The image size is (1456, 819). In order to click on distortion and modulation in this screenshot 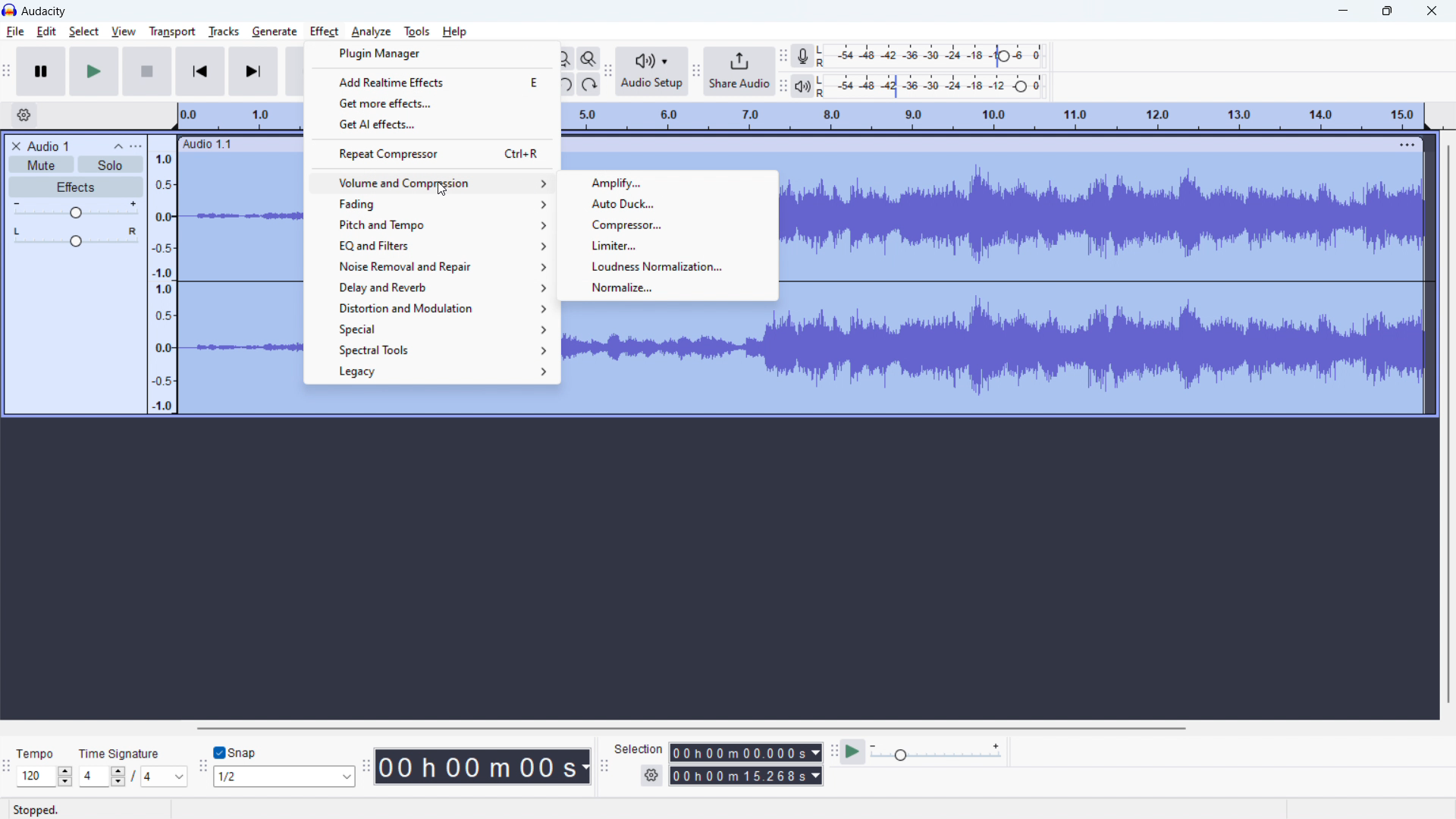, I will do `click(429, 308)`.